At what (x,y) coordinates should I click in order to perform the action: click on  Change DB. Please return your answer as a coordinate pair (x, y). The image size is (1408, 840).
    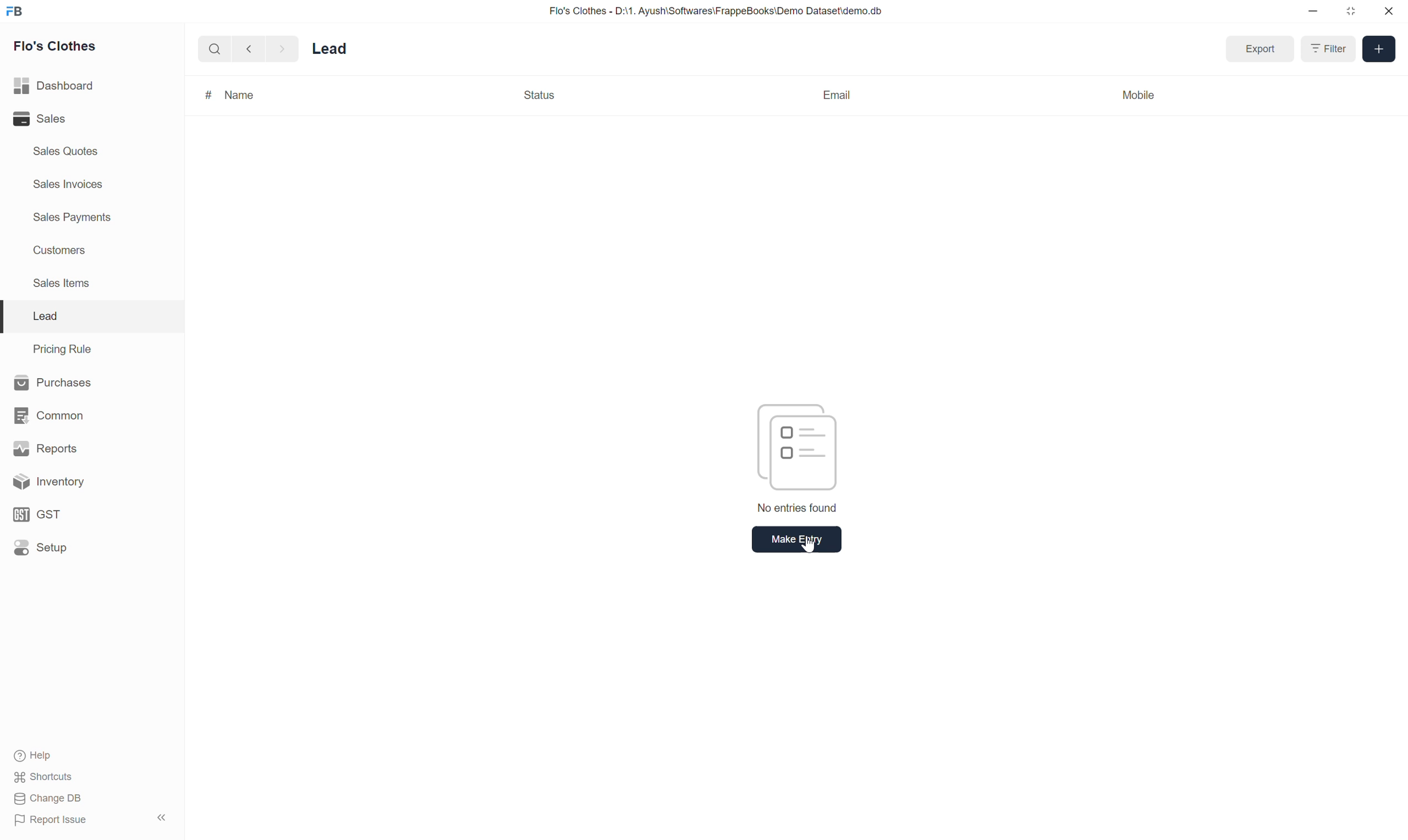
    Looking at the image, I should click on (46, 800).